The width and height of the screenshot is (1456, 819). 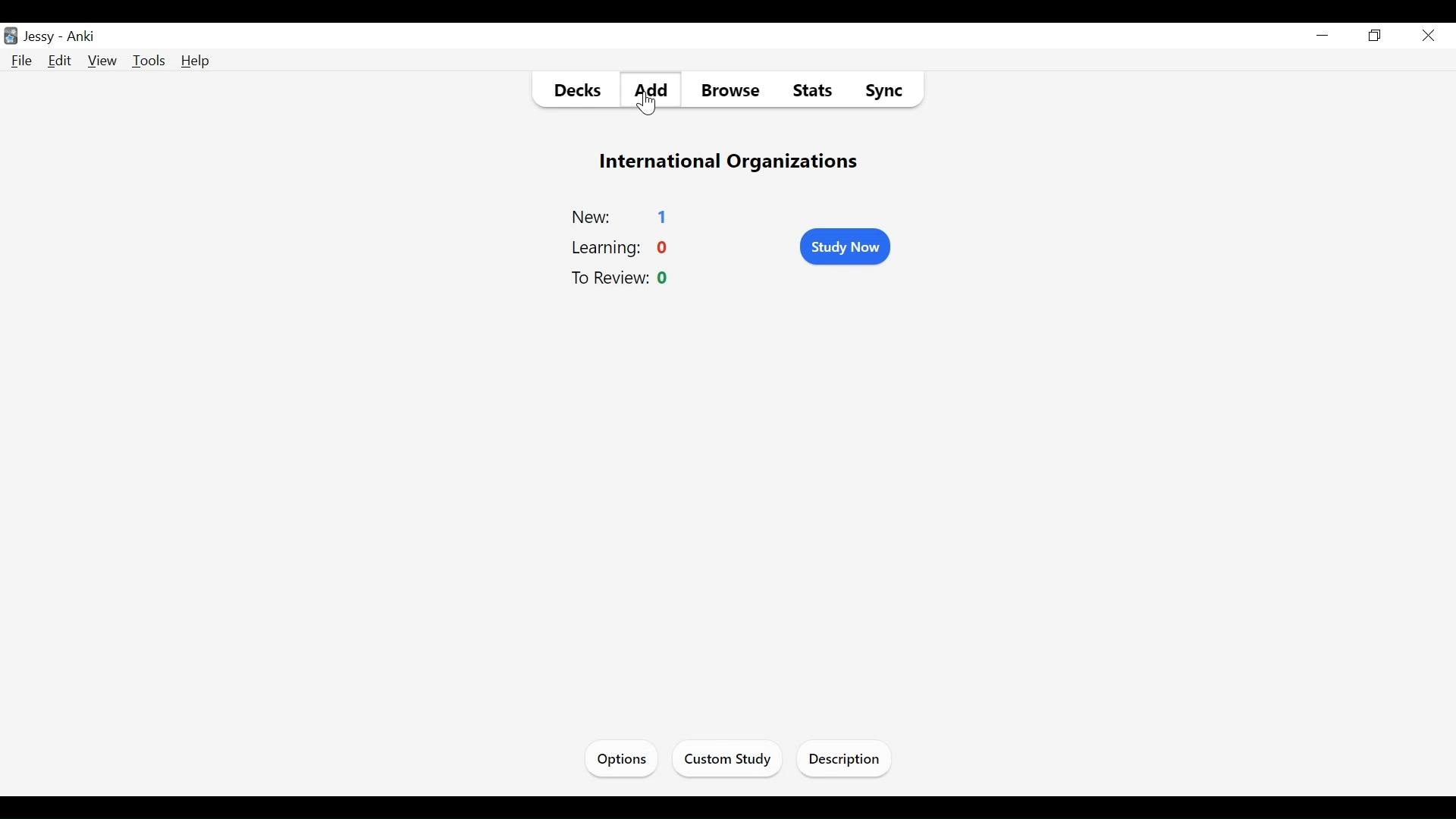 What do you see at coordinates (649, 91) in the screenshot?
I see `Add` at bounding box center [649, 91].